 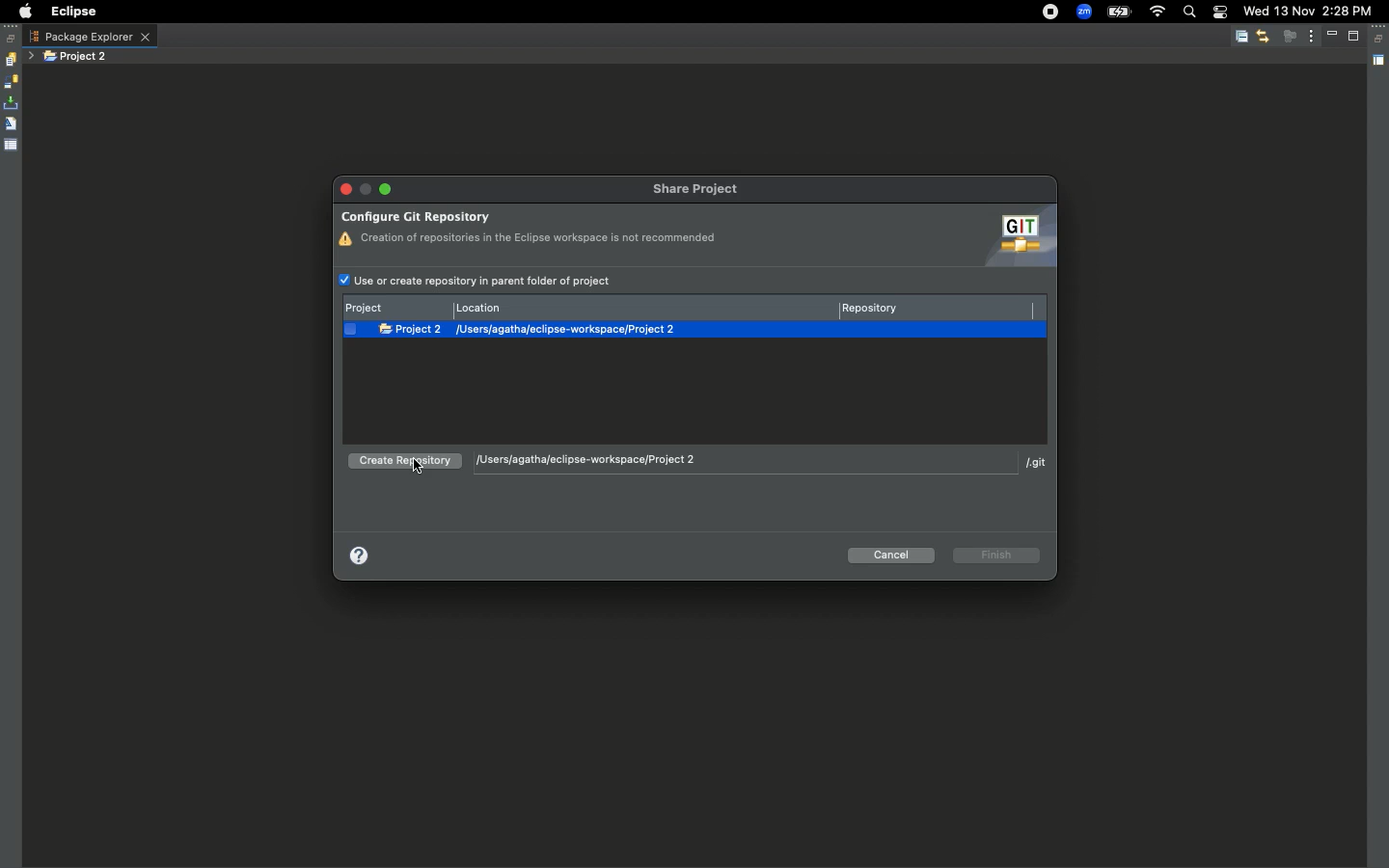 What do you see at coordinates (401, 465) in the screenshot?
I see `create repository ` at bounding box center [401, 465].